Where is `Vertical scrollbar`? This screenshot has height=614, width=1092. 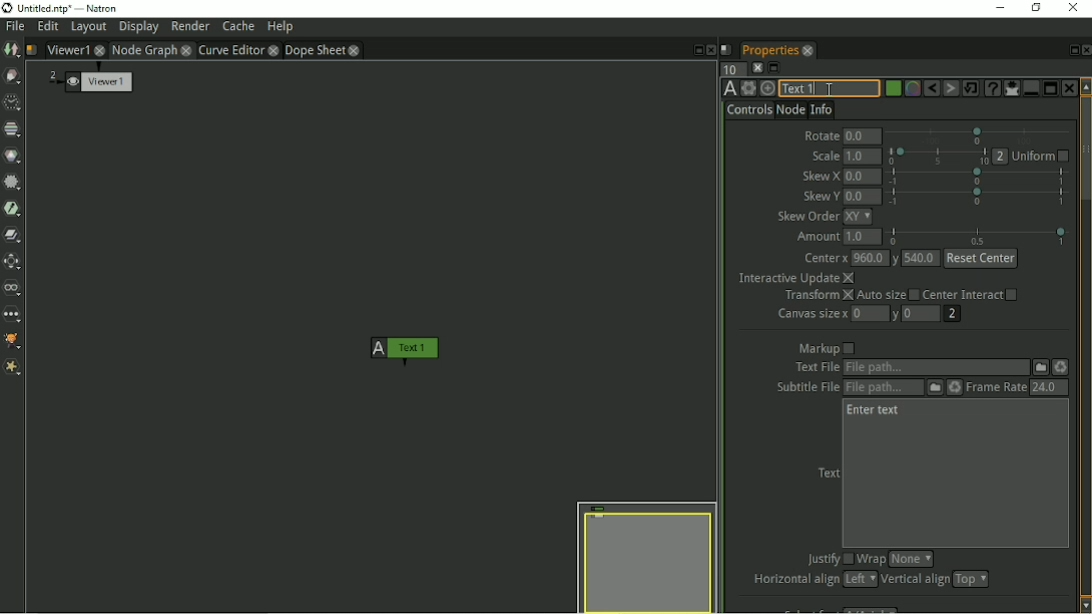 Vertical scrollbar is located at coordinates (1085, 345).